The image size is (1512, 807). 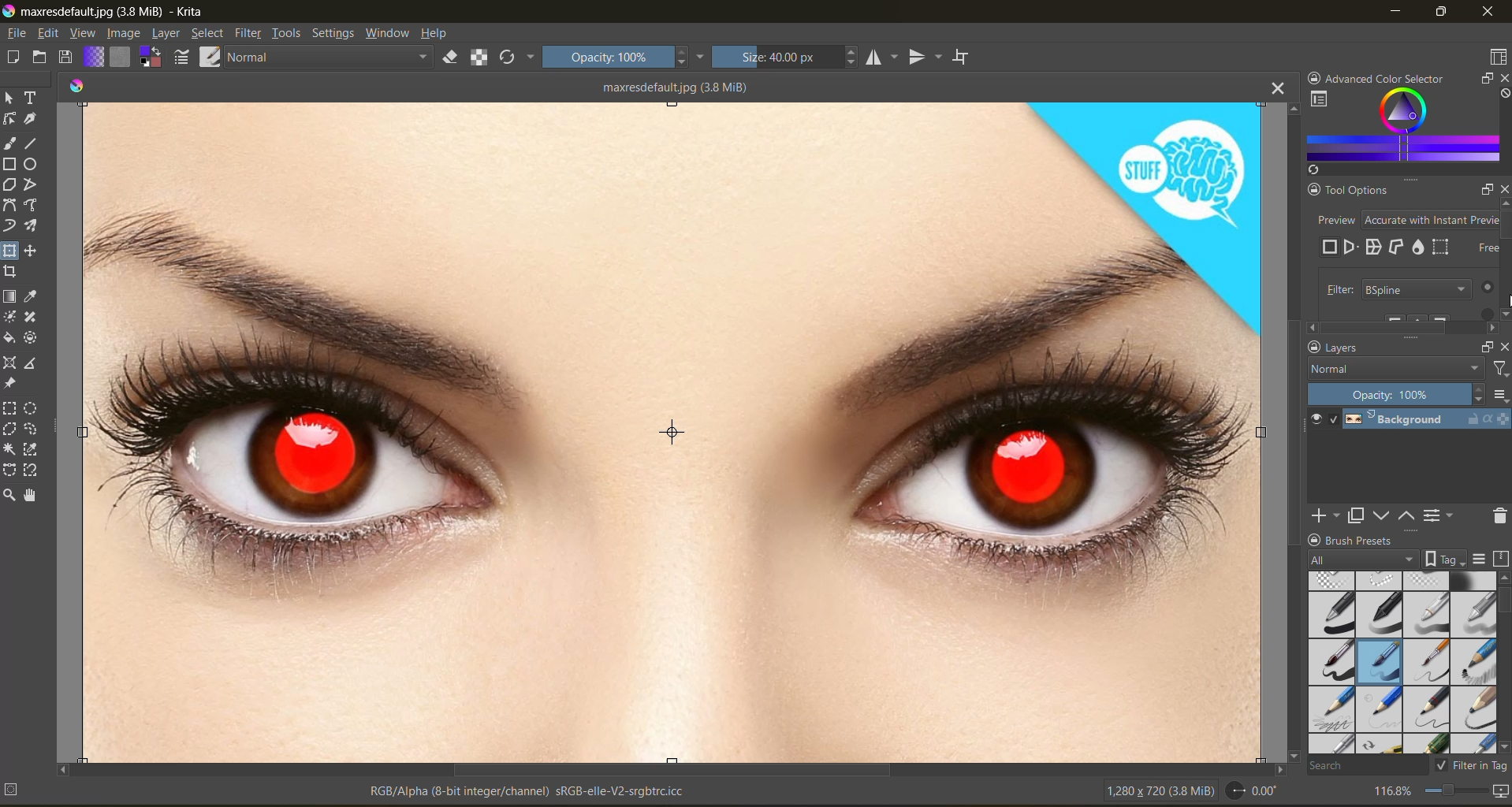 I want to click on delete mask, so click(x=1501, y=516).